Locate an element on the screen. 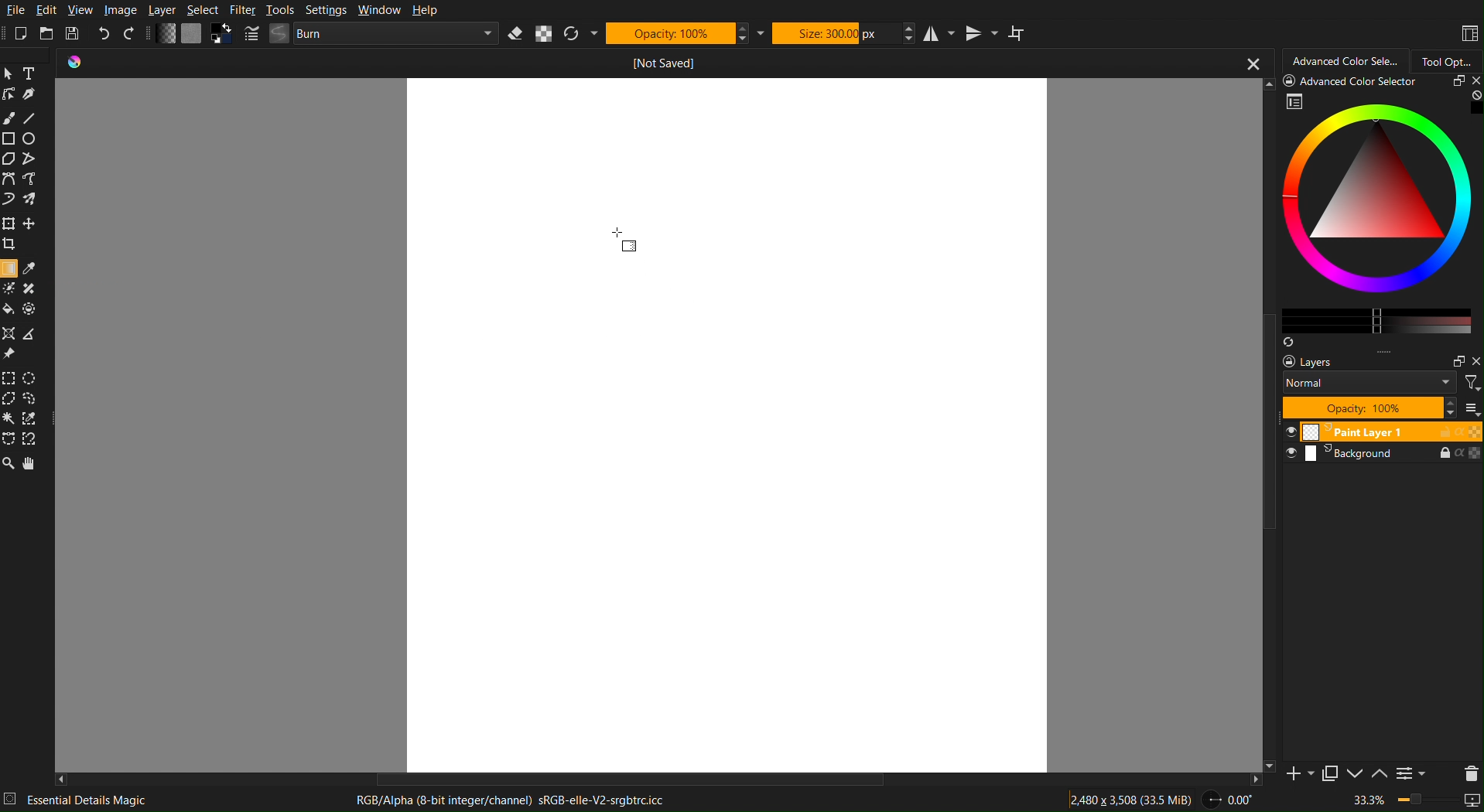  Refresh is located at coordinates (581, 33).